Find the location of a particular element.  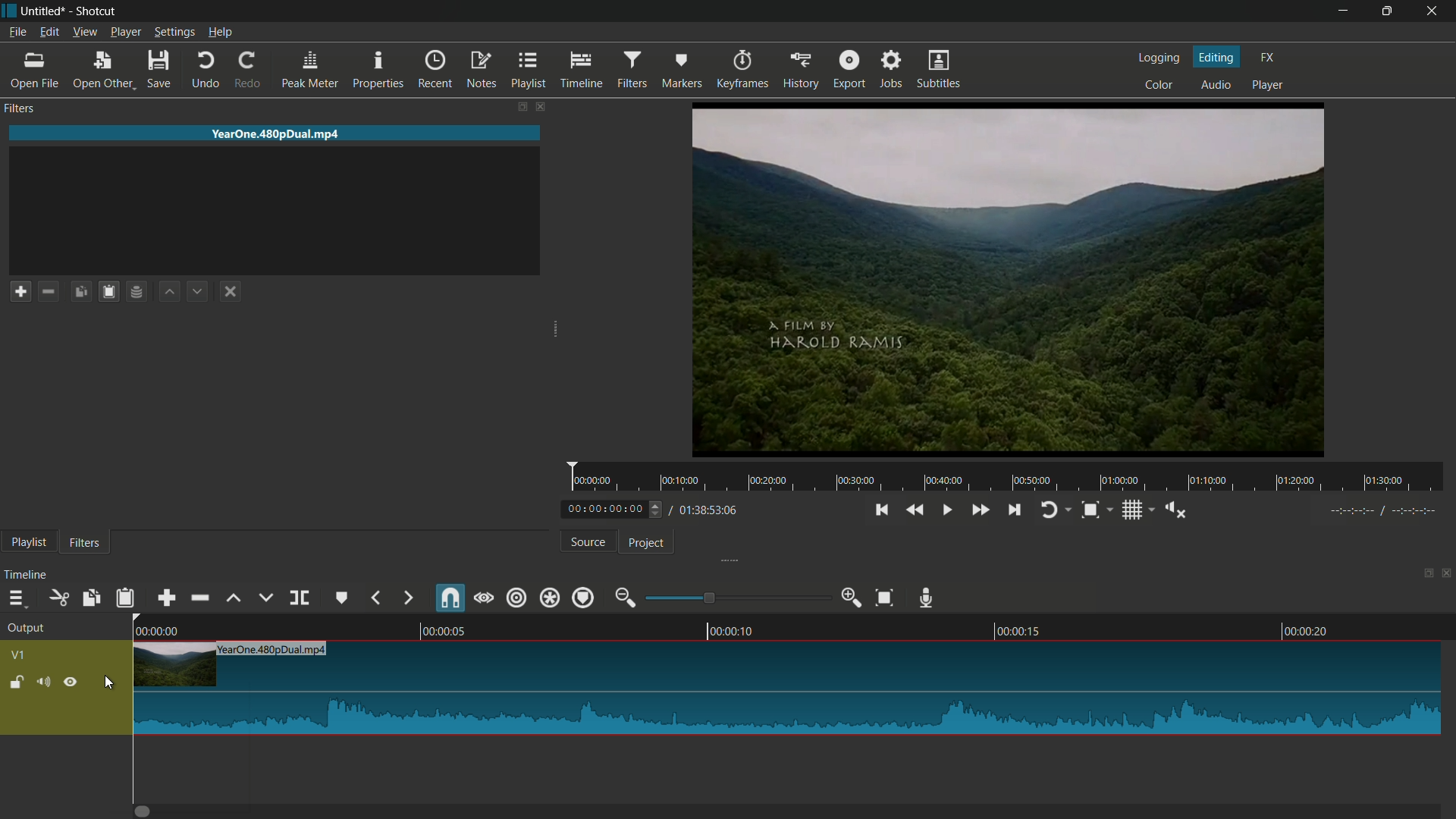

preview is located at coordinates (1011, 279).